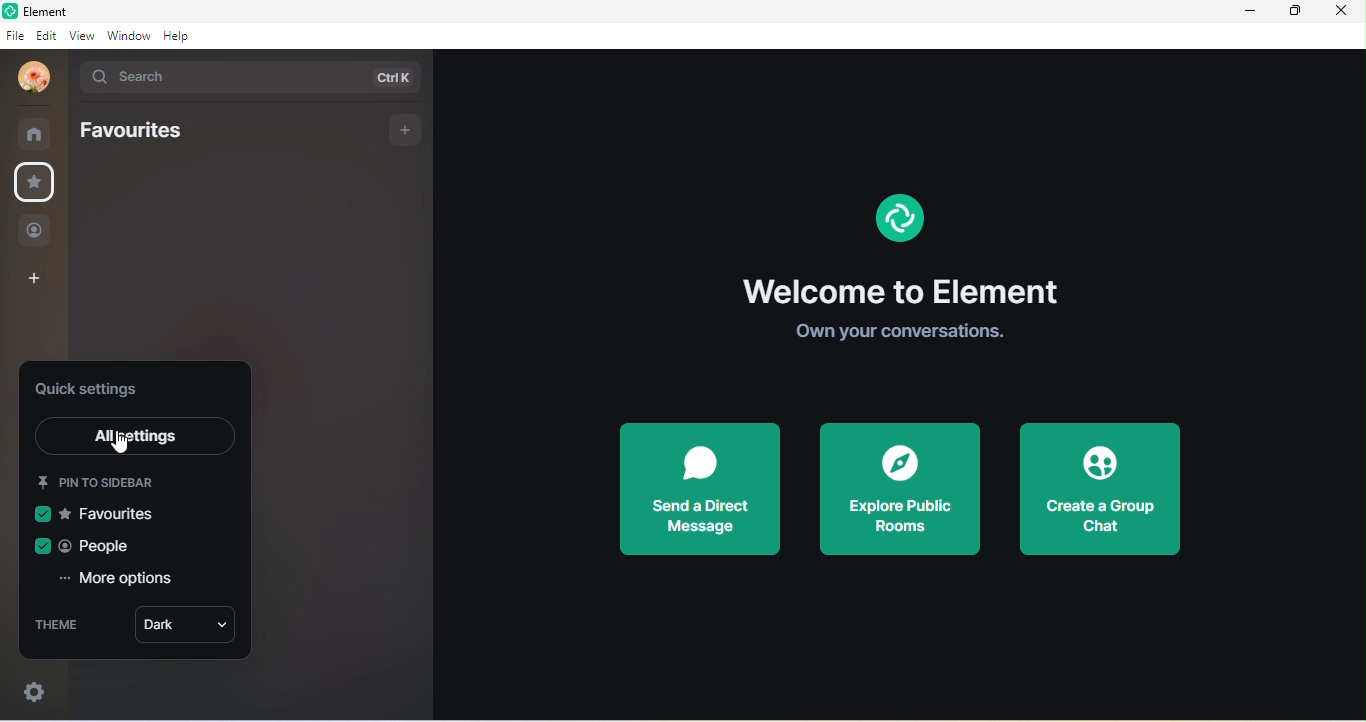 The width and height of the screenshot is (1366, 722). What do you see at coordinates (15, 35) in the screenshot?
I see `file` at bounding box center [15, 35].